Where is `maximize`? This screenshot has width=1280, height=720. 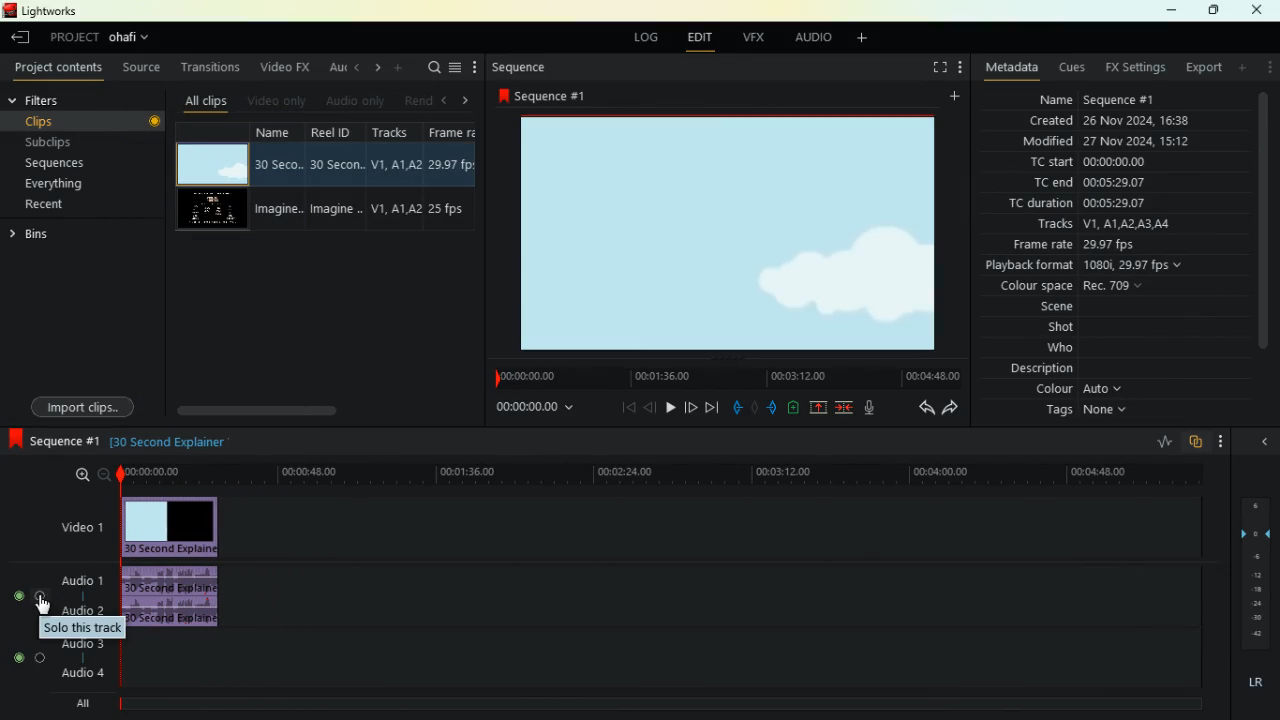 maximize is located at coordinates (1216, 11).